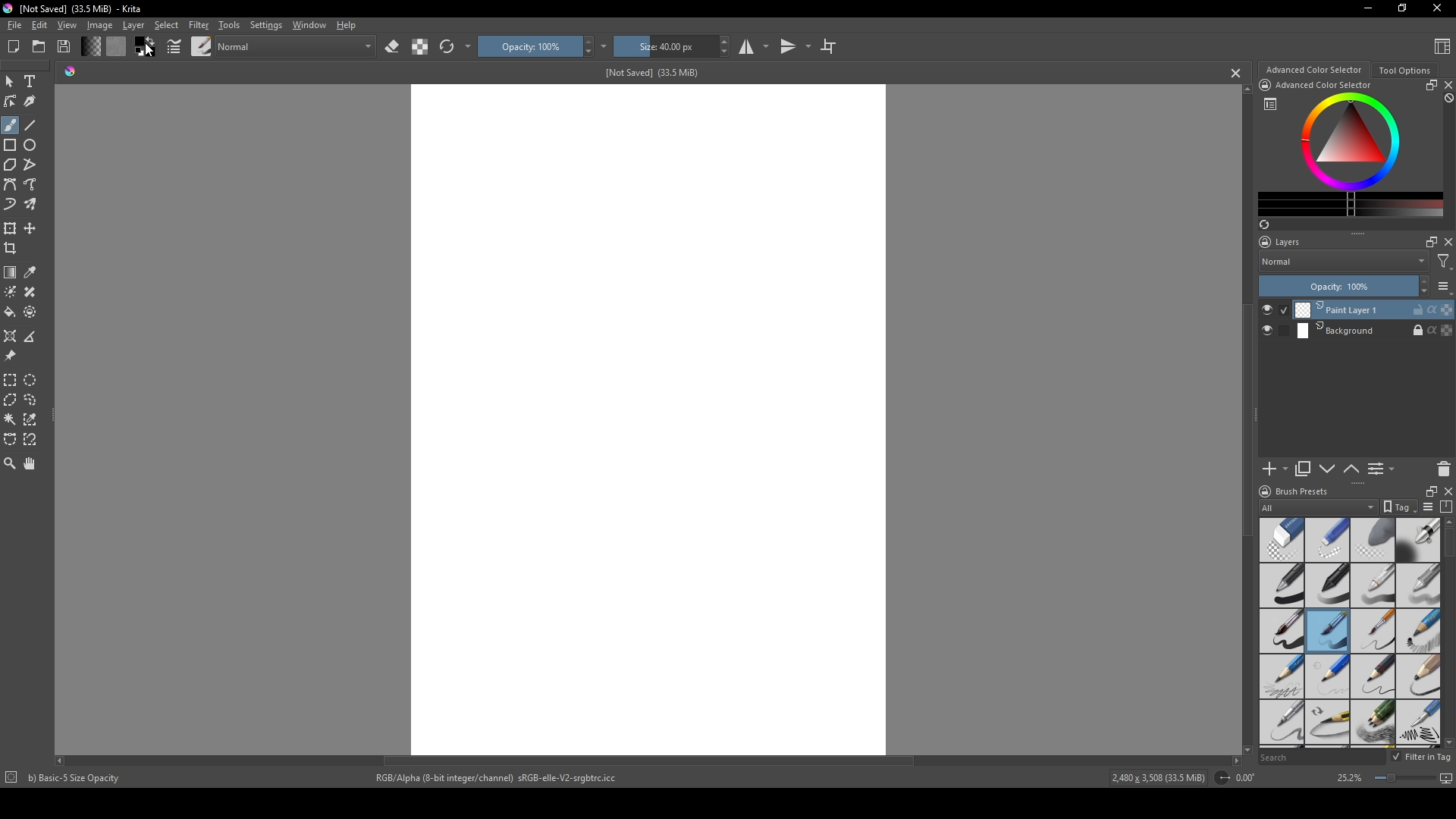 This screenshot has height=819, width=1456. I want to click on enclose and fill, so click(32, 312).